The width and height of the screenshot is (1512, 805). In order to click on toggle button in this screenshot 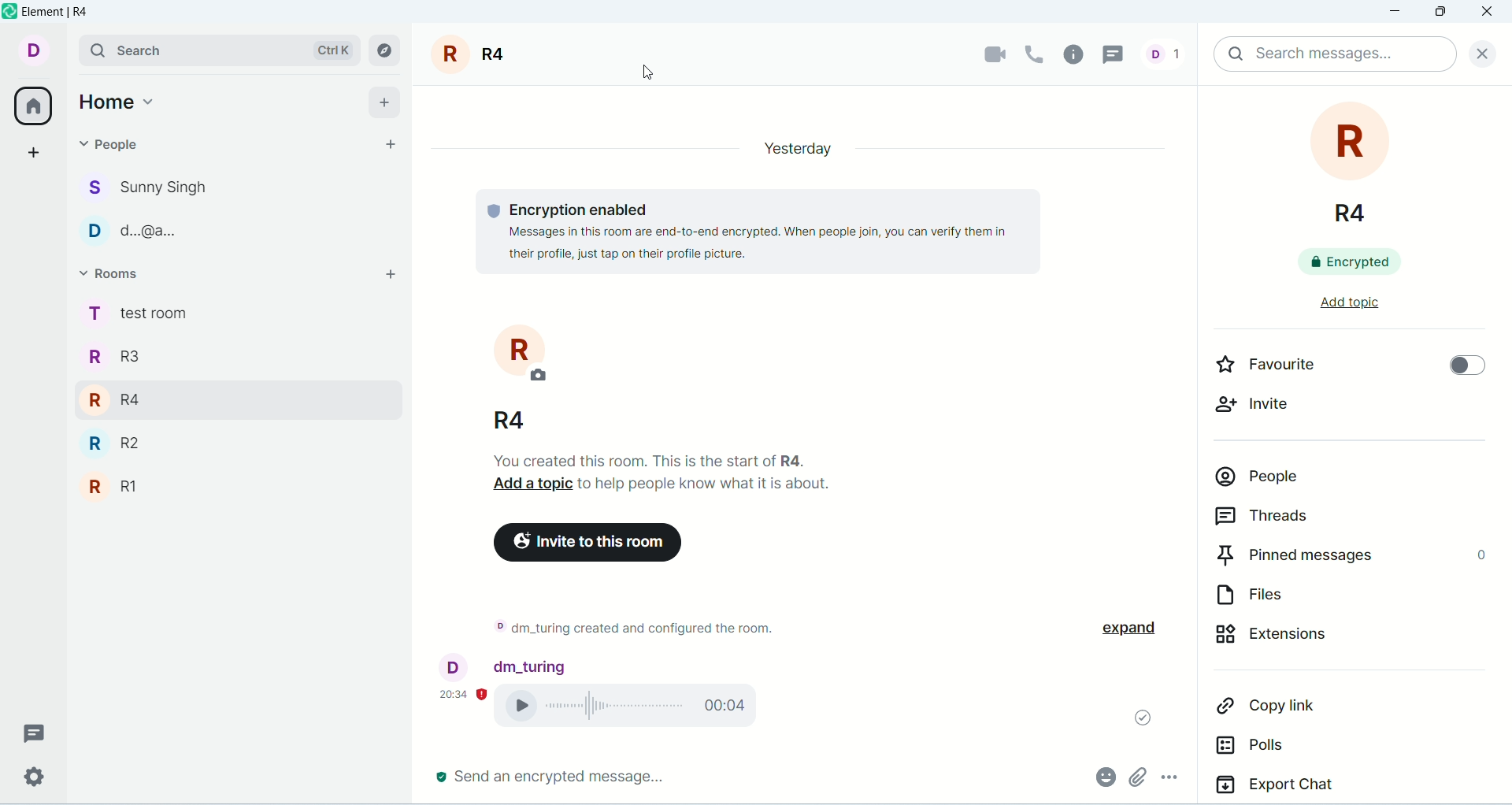, I will do `click(1459, 368)`.